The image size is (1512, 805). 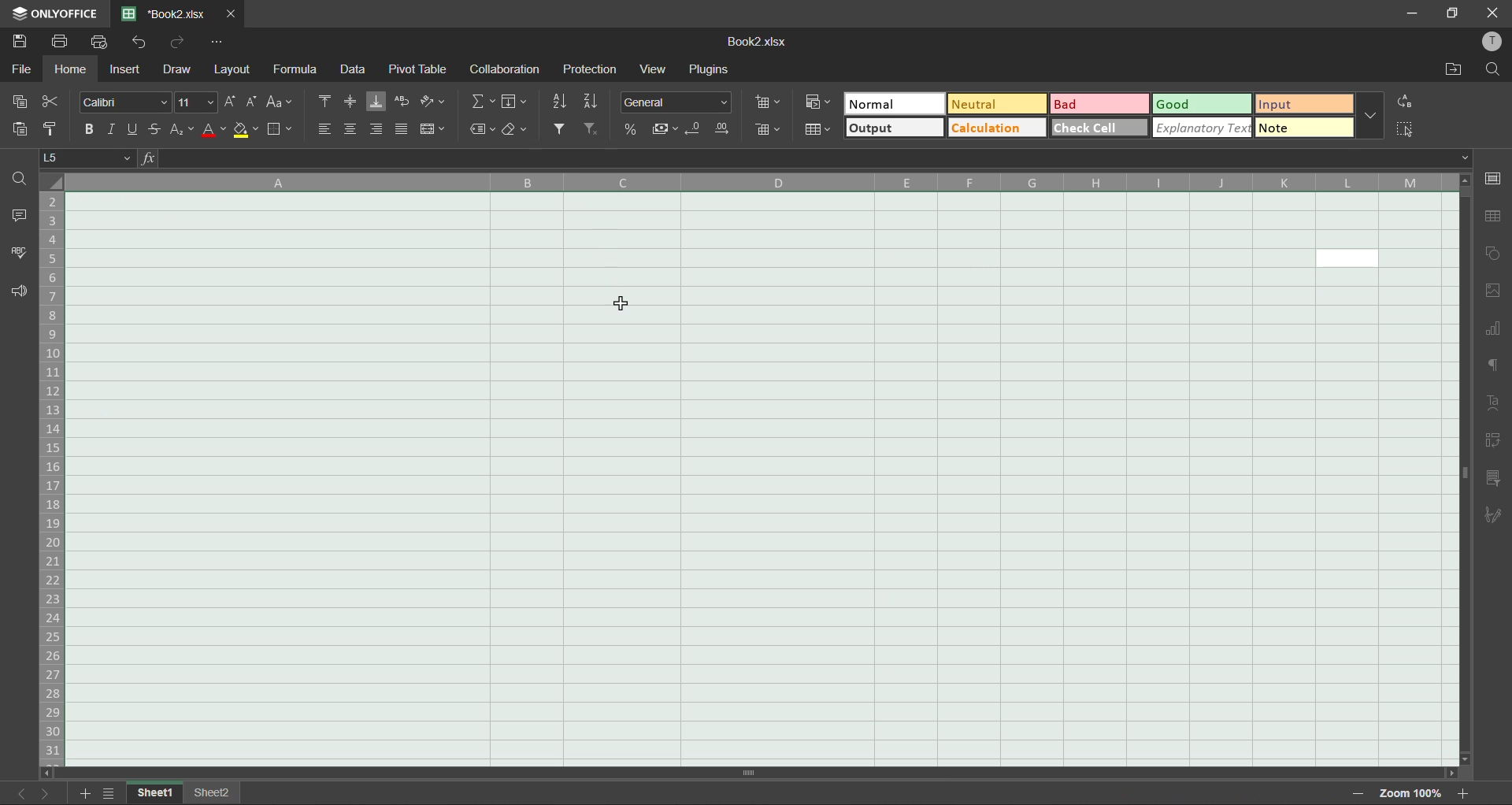 I want to click on data cleared, so click(x=684, y=459).